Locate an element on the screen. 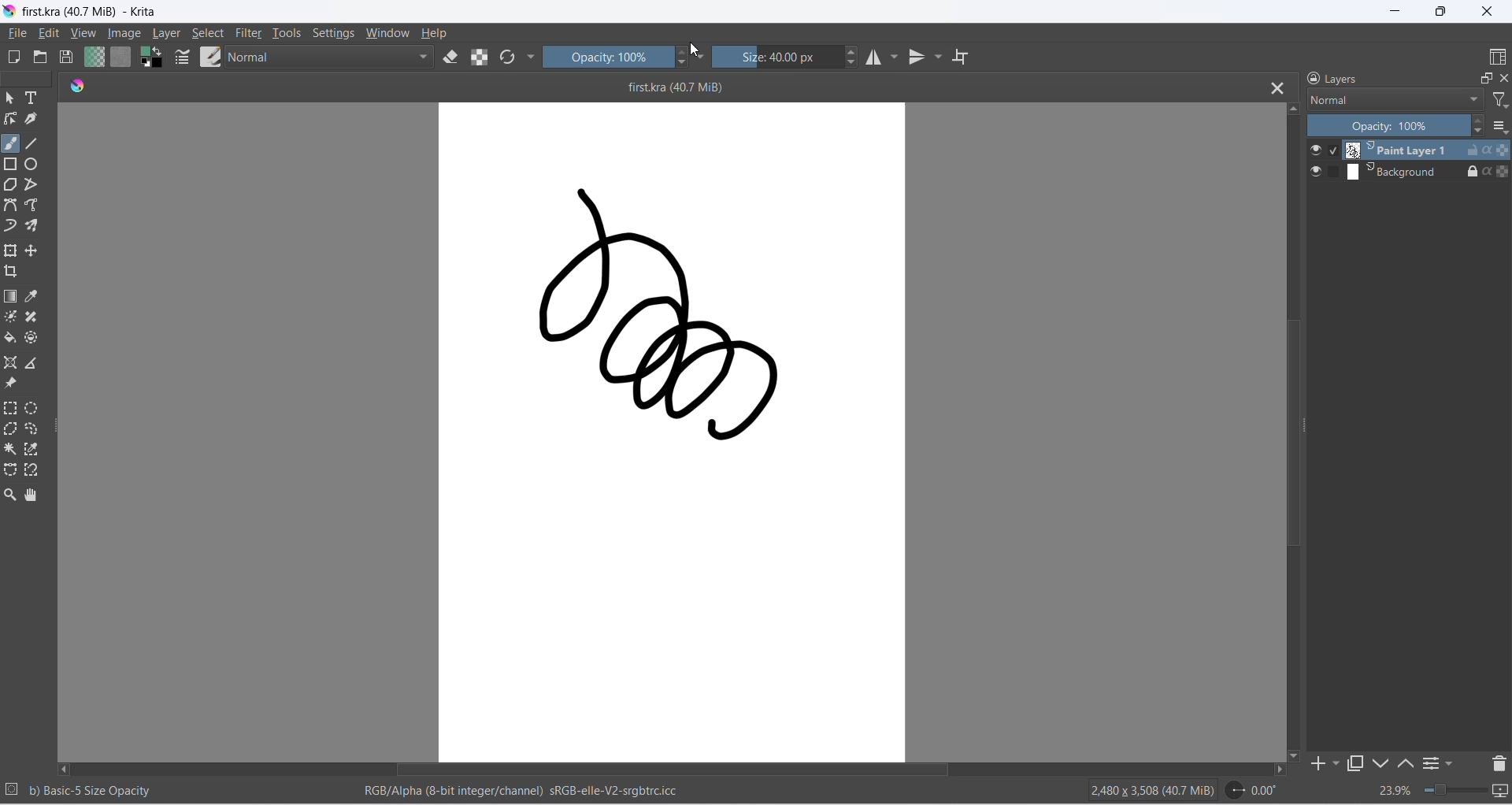 The image size is (1512, 805). magnetic curve selection tool is located at coordinates (31, 469).